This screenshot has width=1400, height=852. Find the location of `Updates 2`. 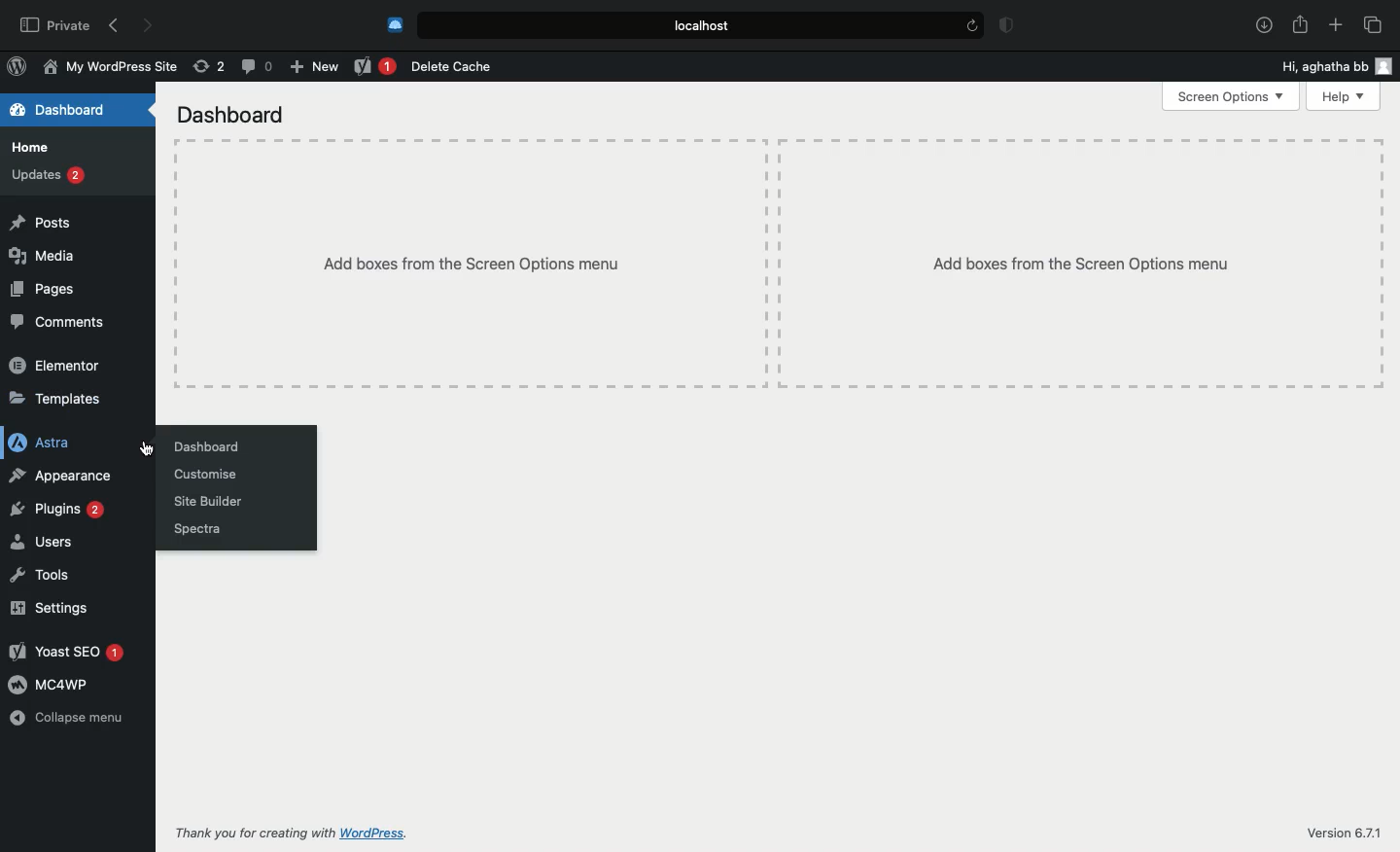

Updates 2 is located at coordinates (50, 177).